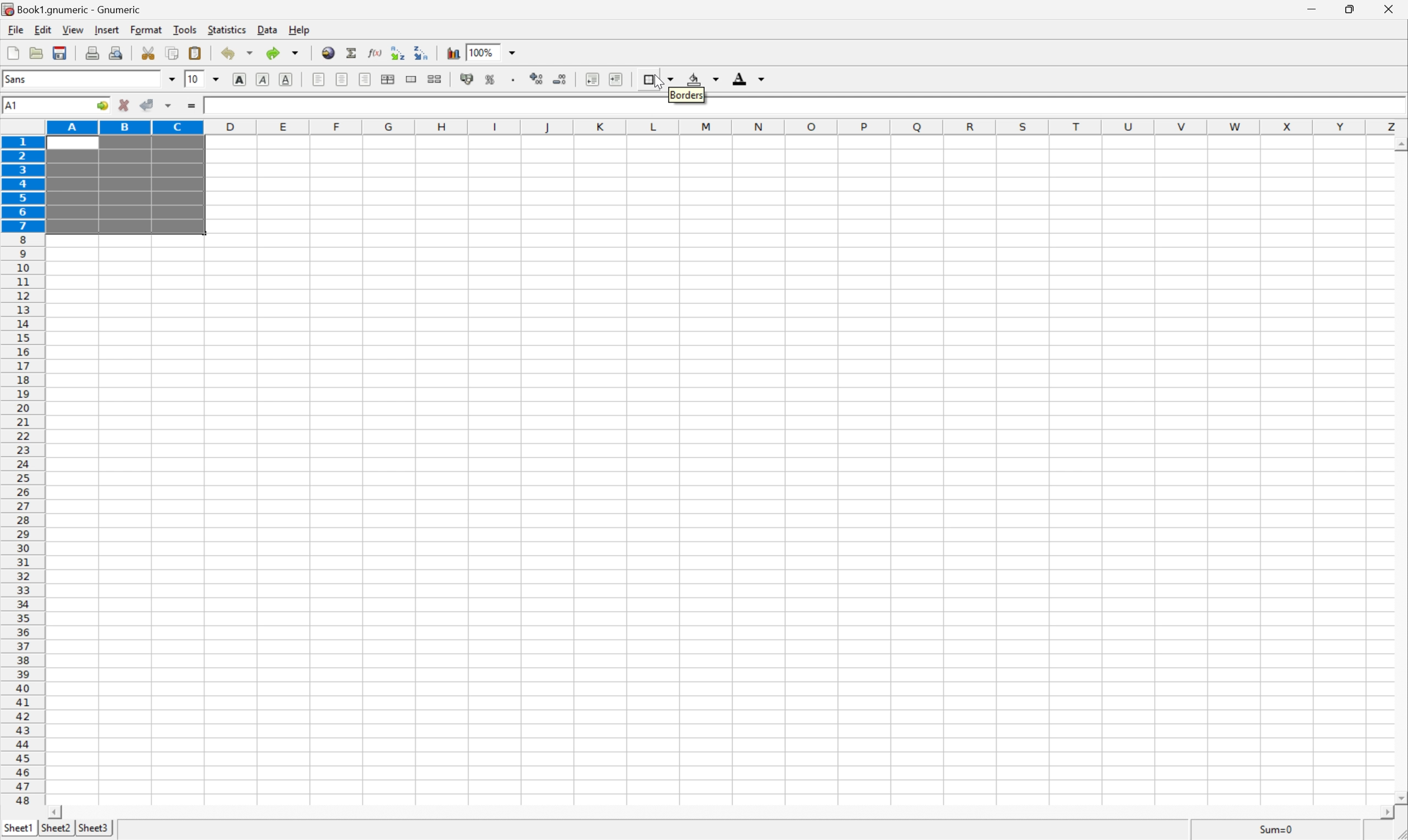  I want to click on bold, so click(241, 79).